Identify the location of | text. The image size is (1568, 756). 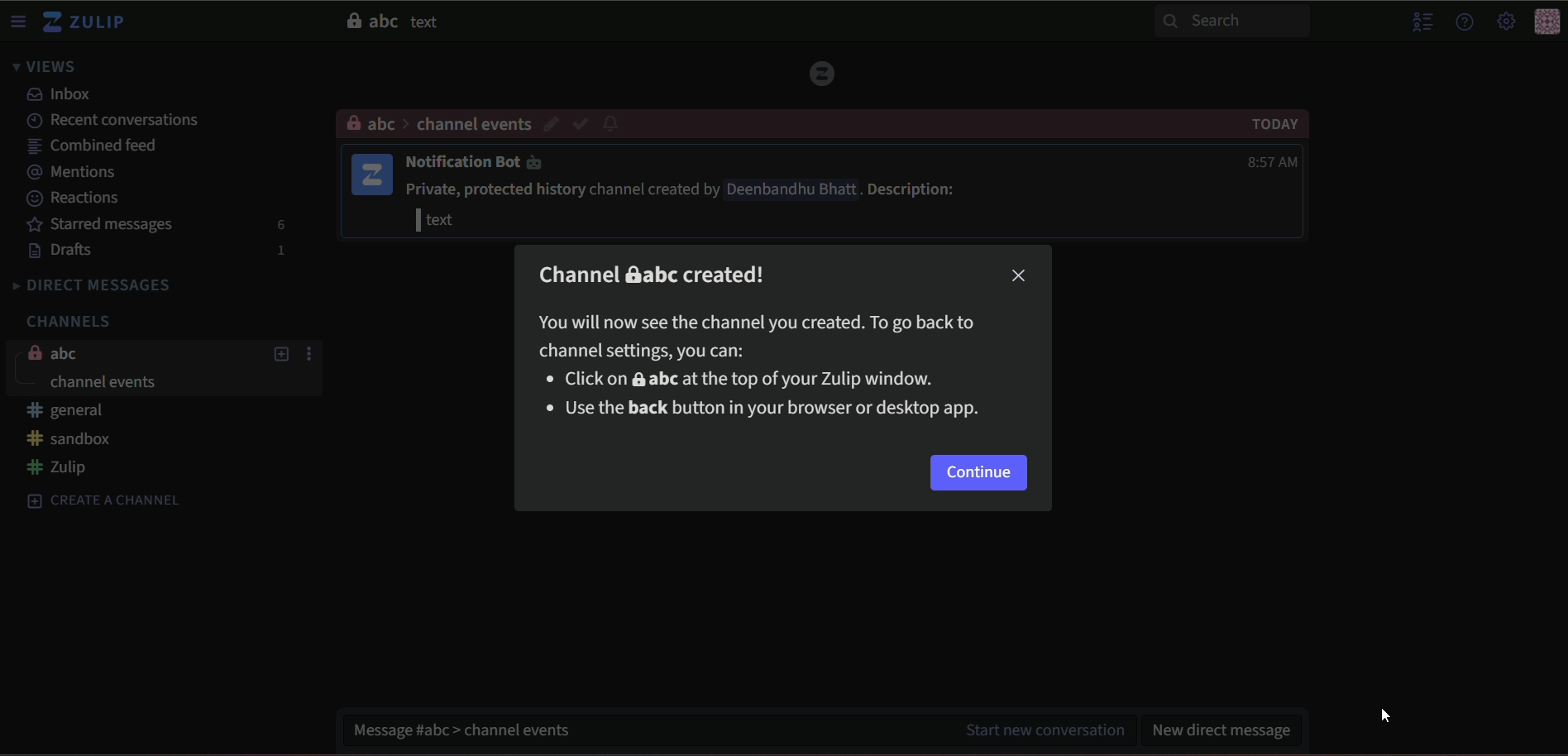
(433, 223).